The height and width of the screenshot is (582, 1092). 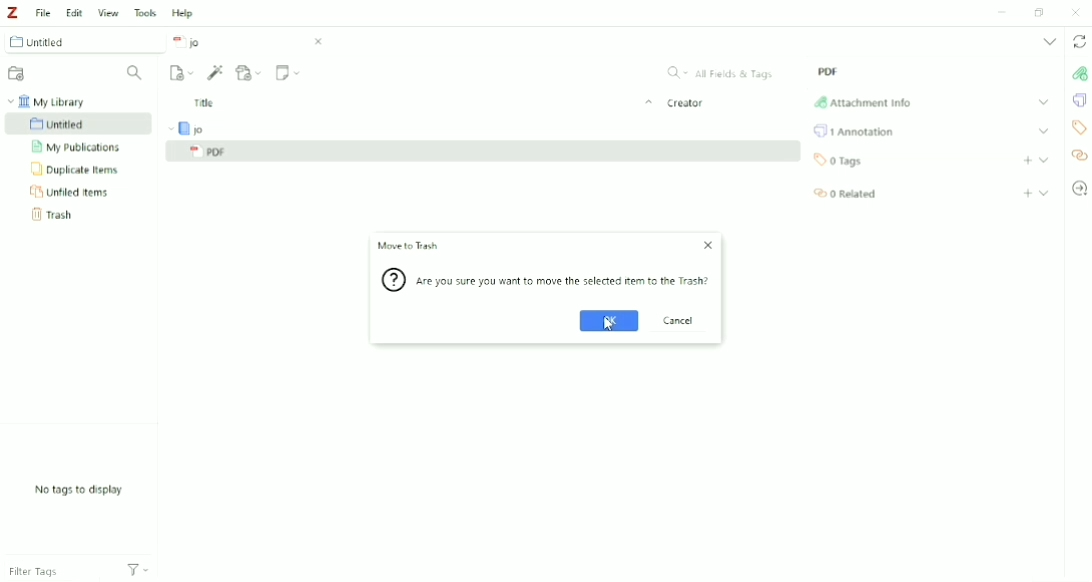 What do you see at coordinates (1076, 12) in the screenshot?
I see `Close` at bounding box center [1076, 12].